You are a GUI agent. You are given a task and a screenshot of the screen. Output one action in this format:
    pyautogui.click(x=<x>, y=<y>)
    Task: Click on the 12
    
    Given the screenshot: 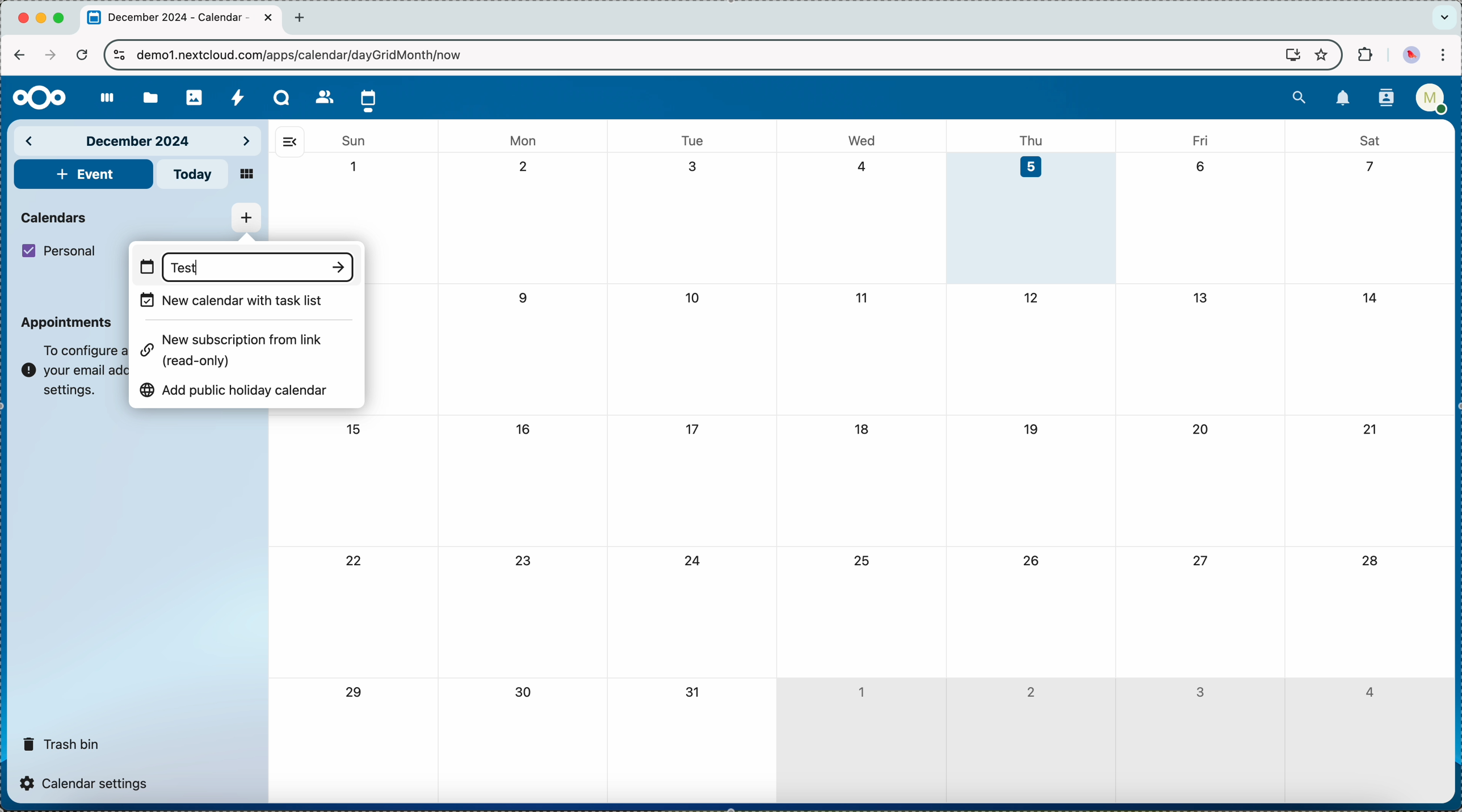 What is the action you would take?
    pyautogui.click(x=1032, y=298)
    